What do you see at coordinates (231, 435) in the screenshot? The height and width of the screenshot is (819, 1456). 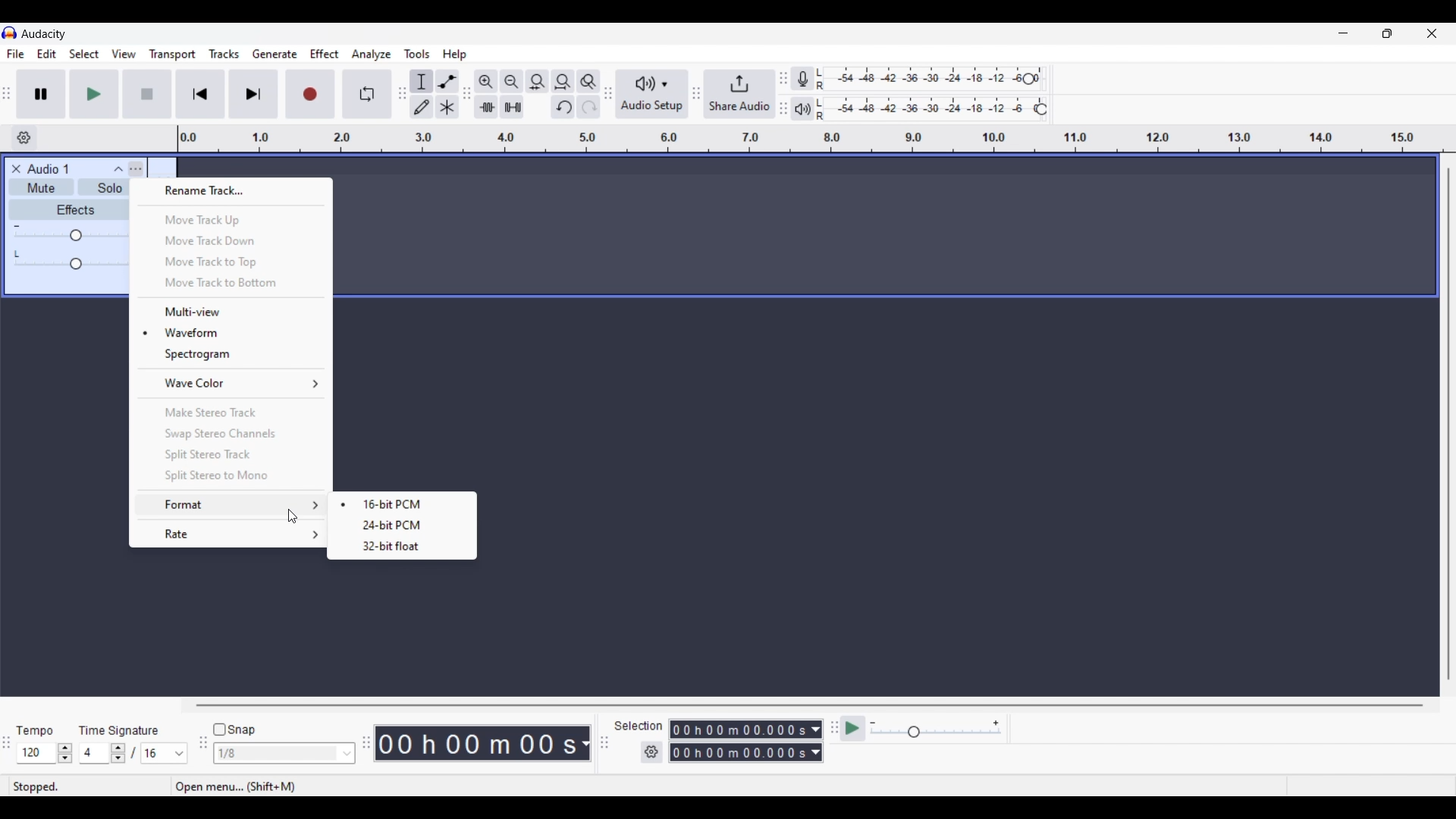 I see `Swap stereo channels` at bounding box center [231, 435].